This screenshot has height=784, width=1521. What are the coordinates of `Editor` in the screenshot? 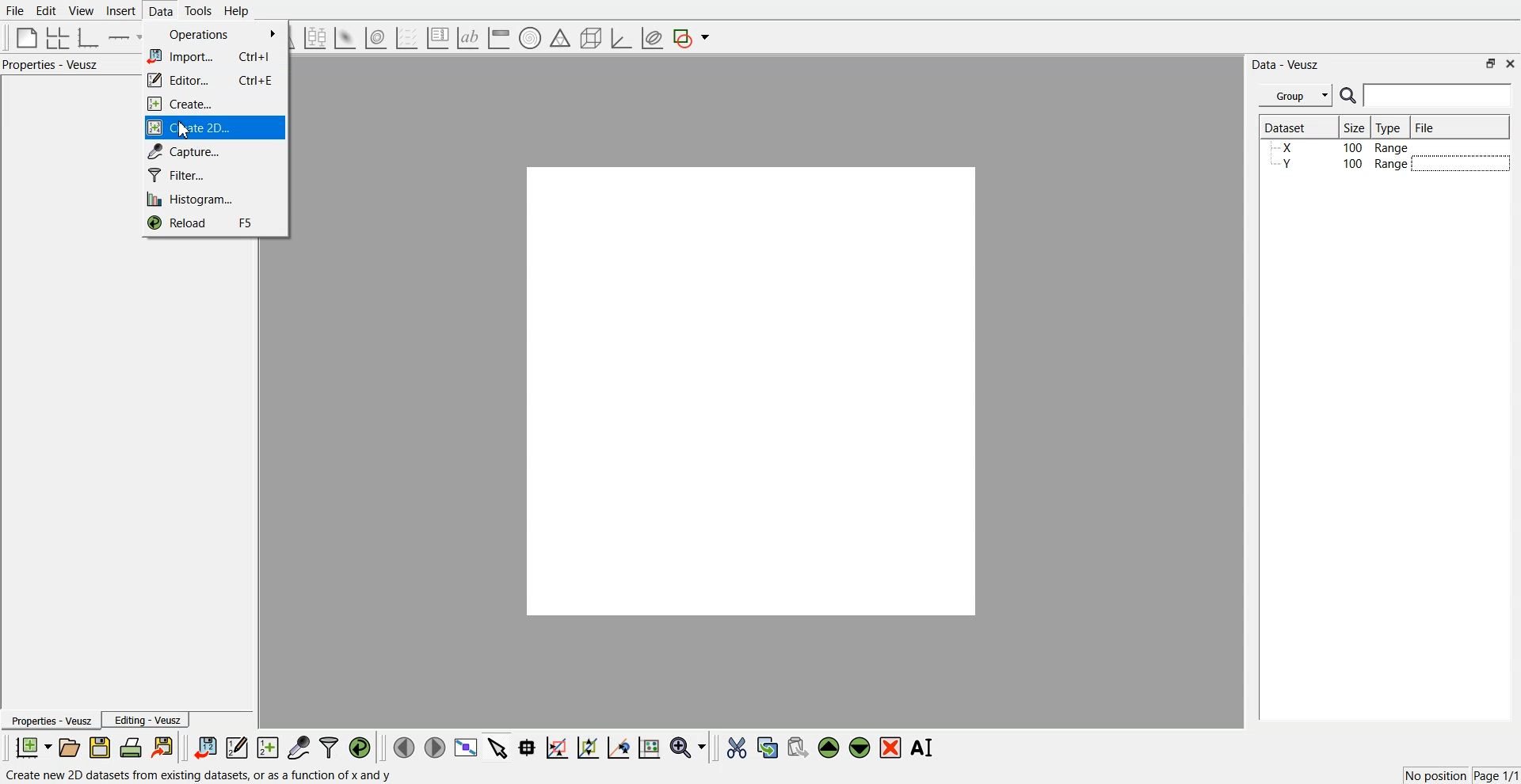 It's located at (214, 80).